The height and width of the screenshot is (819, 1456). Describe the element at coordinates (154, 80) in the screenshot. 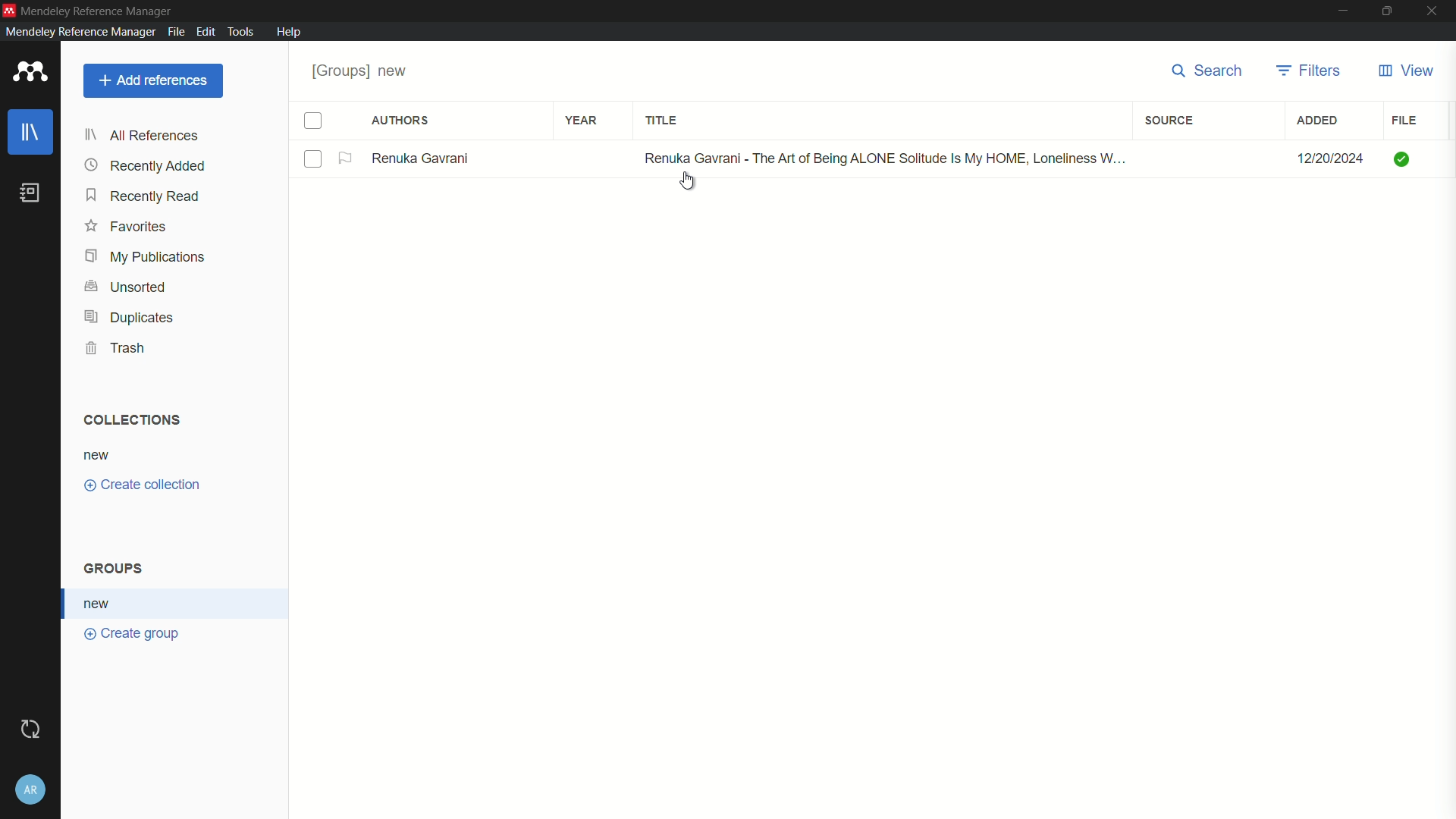

I see `add reference` at that location.